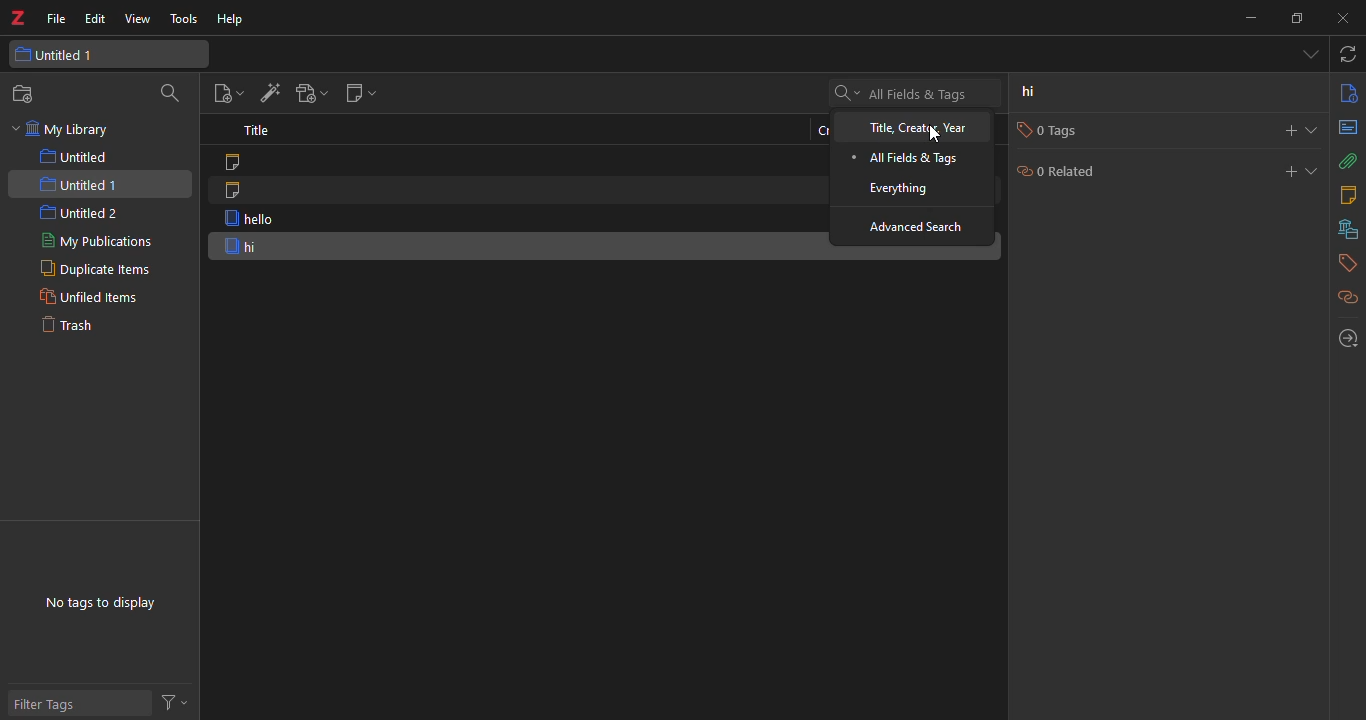 This screenshot has height=720, width=1366. I want to click on cursor, so click(937, 134).